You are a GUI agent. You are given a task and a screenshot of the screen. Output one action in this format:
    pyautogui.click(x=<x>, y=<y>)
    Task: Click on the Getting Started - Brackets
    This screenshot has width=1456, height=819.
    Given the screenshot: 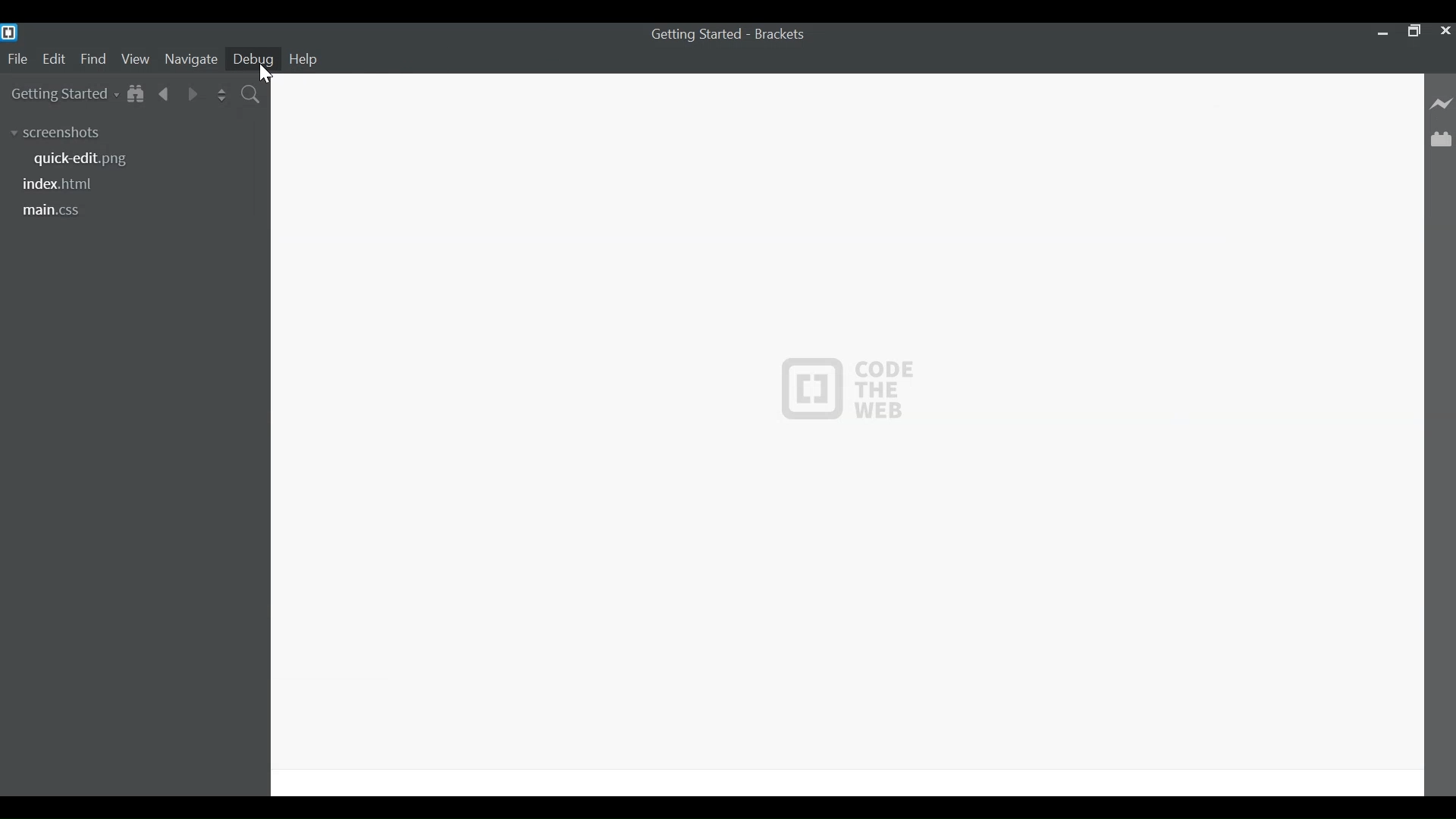 What is the action you would take?
    pyautogui.click(x=732, y=33)
    